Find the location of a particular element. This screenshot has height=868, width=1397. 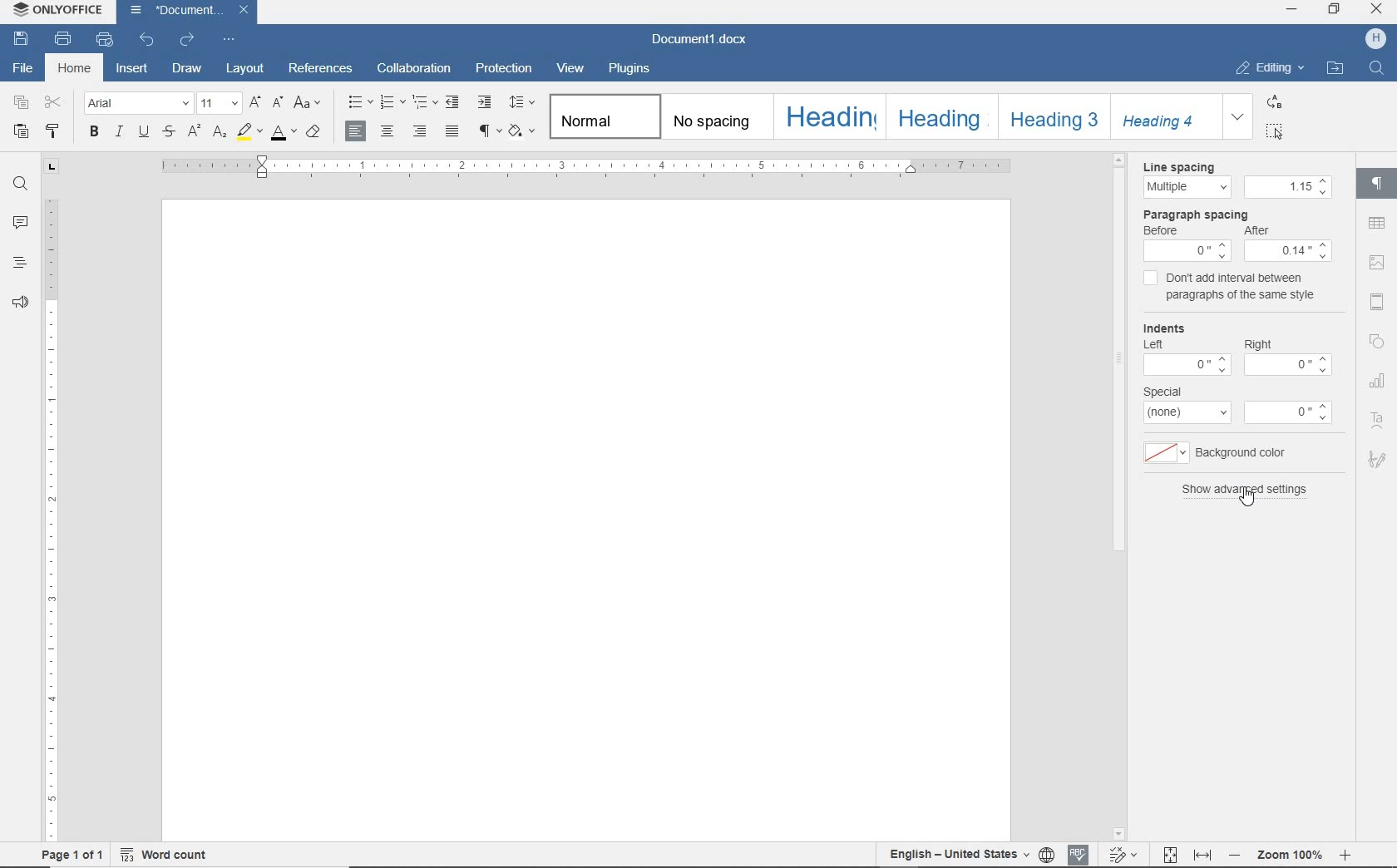

highlight color is located at coordinates (248, 133).